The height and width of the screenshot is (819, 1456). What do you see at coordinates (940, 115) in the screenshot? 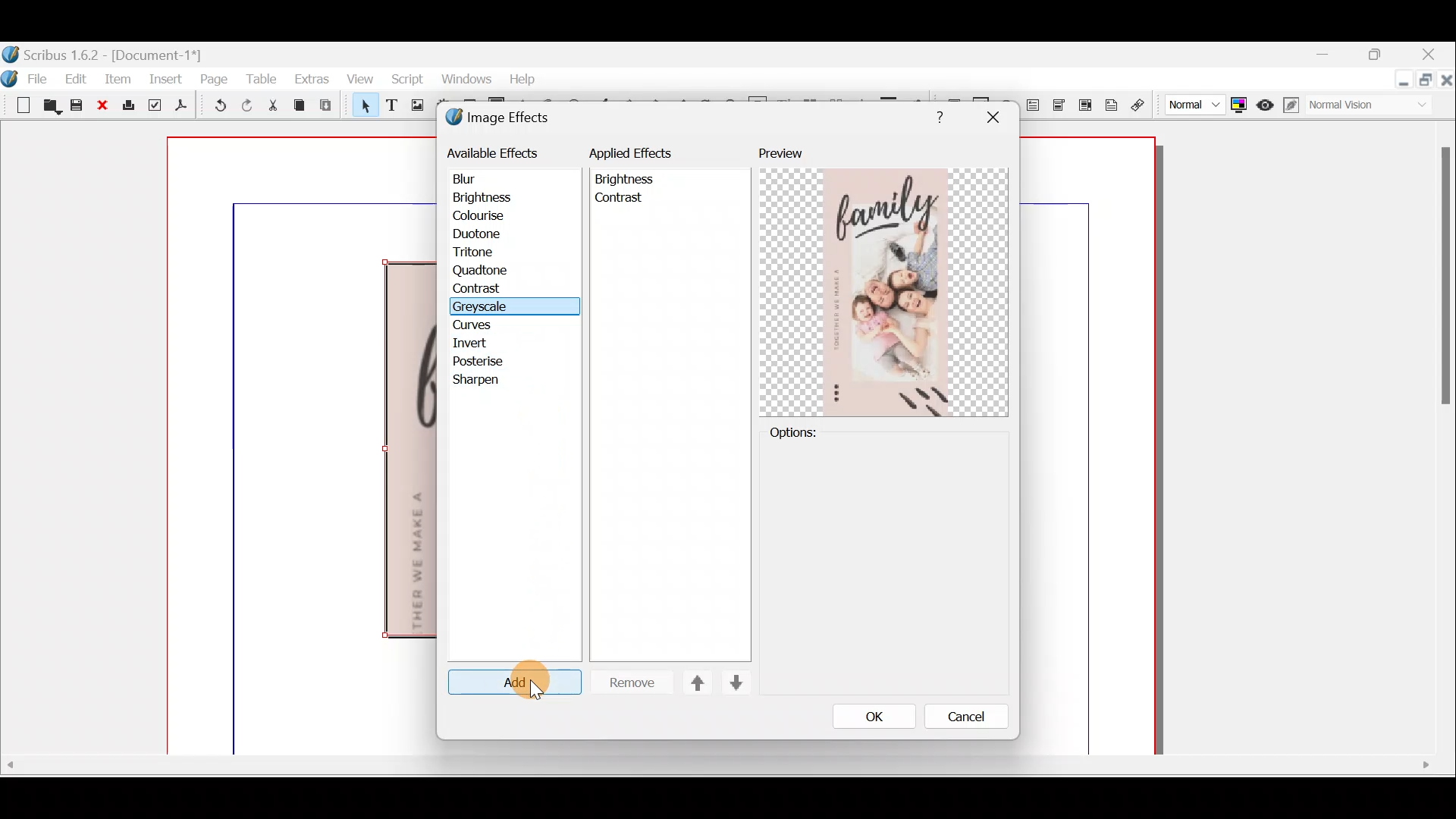
I see `Help` at bounding box center [940, 115].